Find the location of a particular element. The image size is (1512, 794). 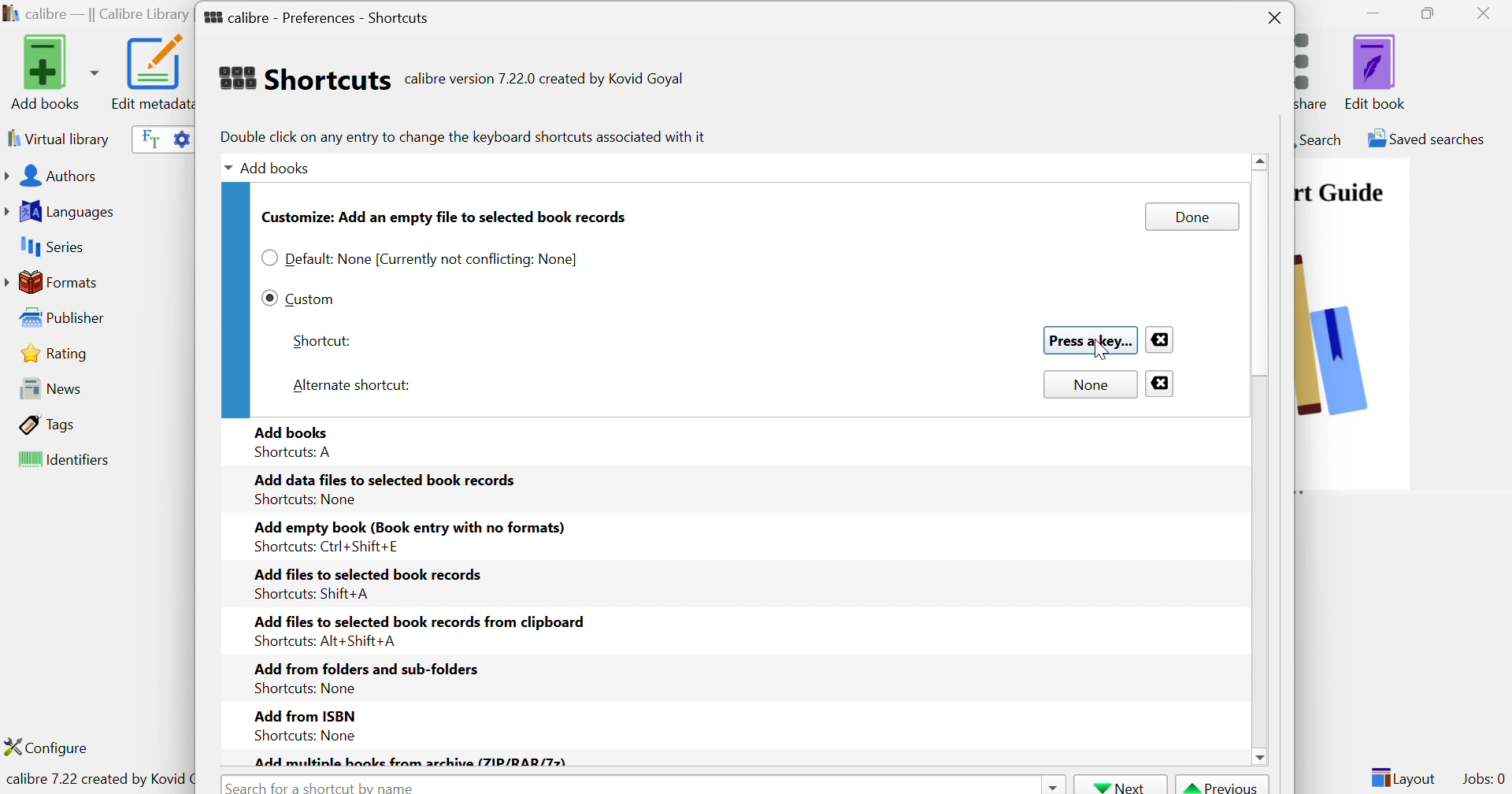

Layout:0 is located at coordinates (1403, 777).